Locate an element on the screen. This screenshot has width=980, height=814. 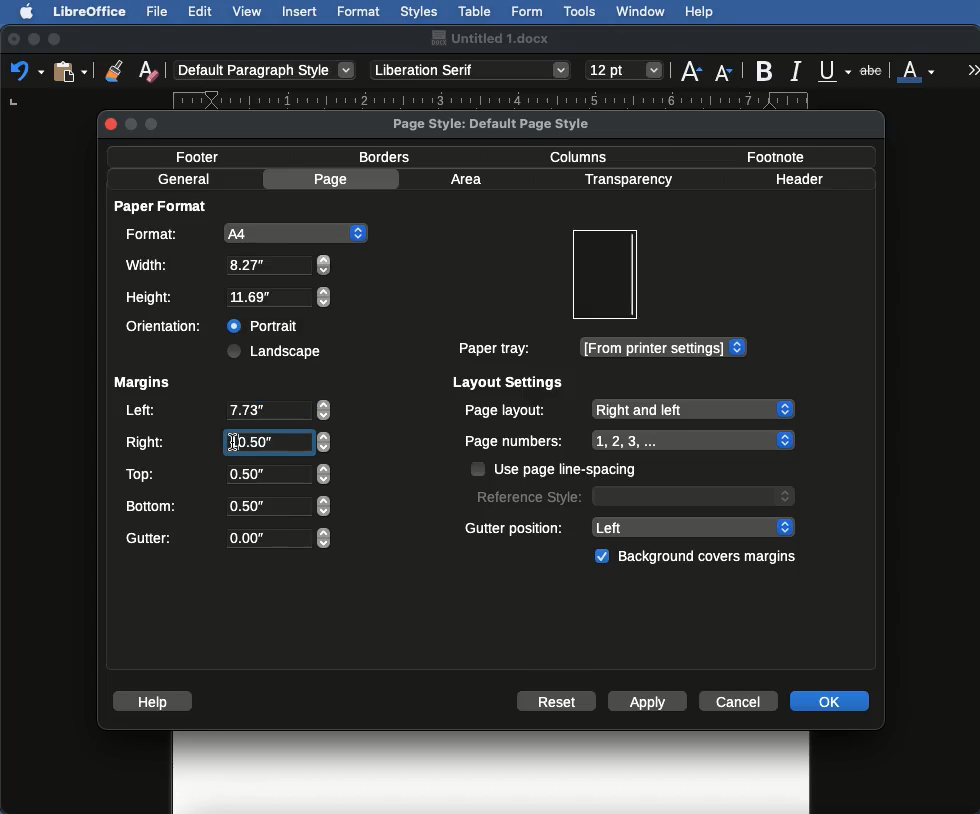
Width is located at coordinates (227, 265).